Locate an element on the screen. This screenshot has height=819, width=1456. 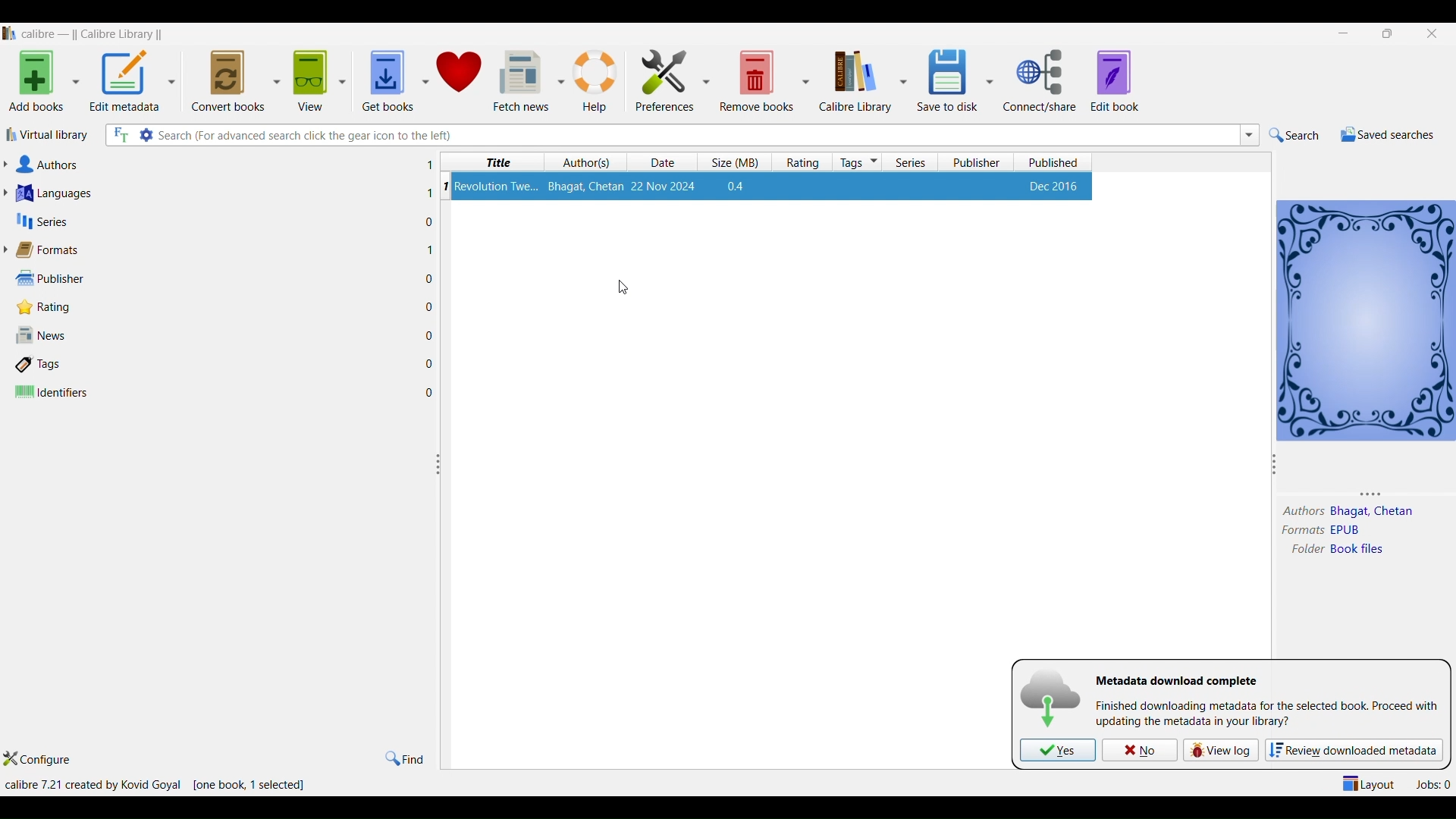
publisher is located at coordinates (46, 278).